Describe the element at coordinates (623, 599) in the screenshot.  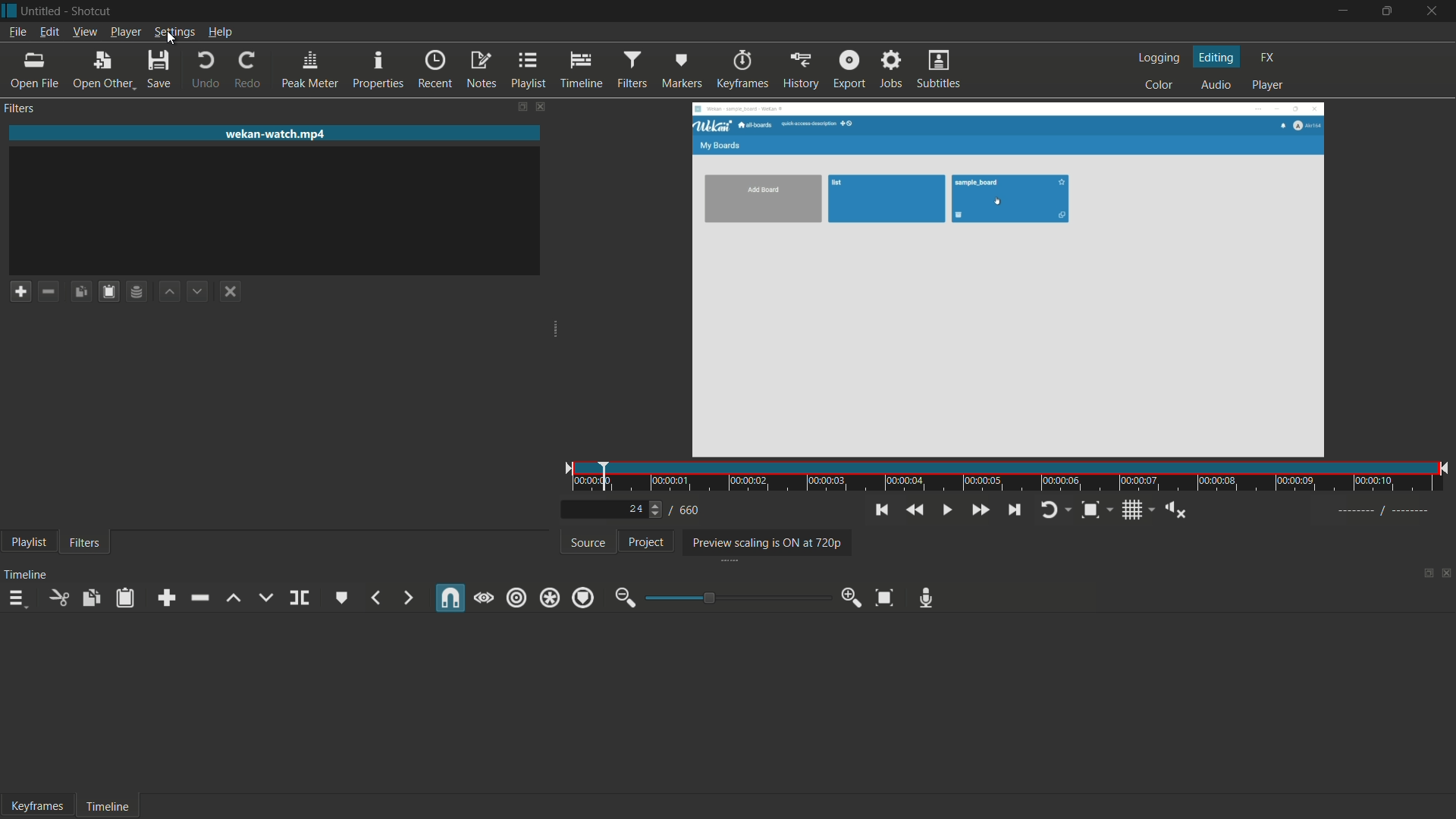
I see `zoom out` at that location.